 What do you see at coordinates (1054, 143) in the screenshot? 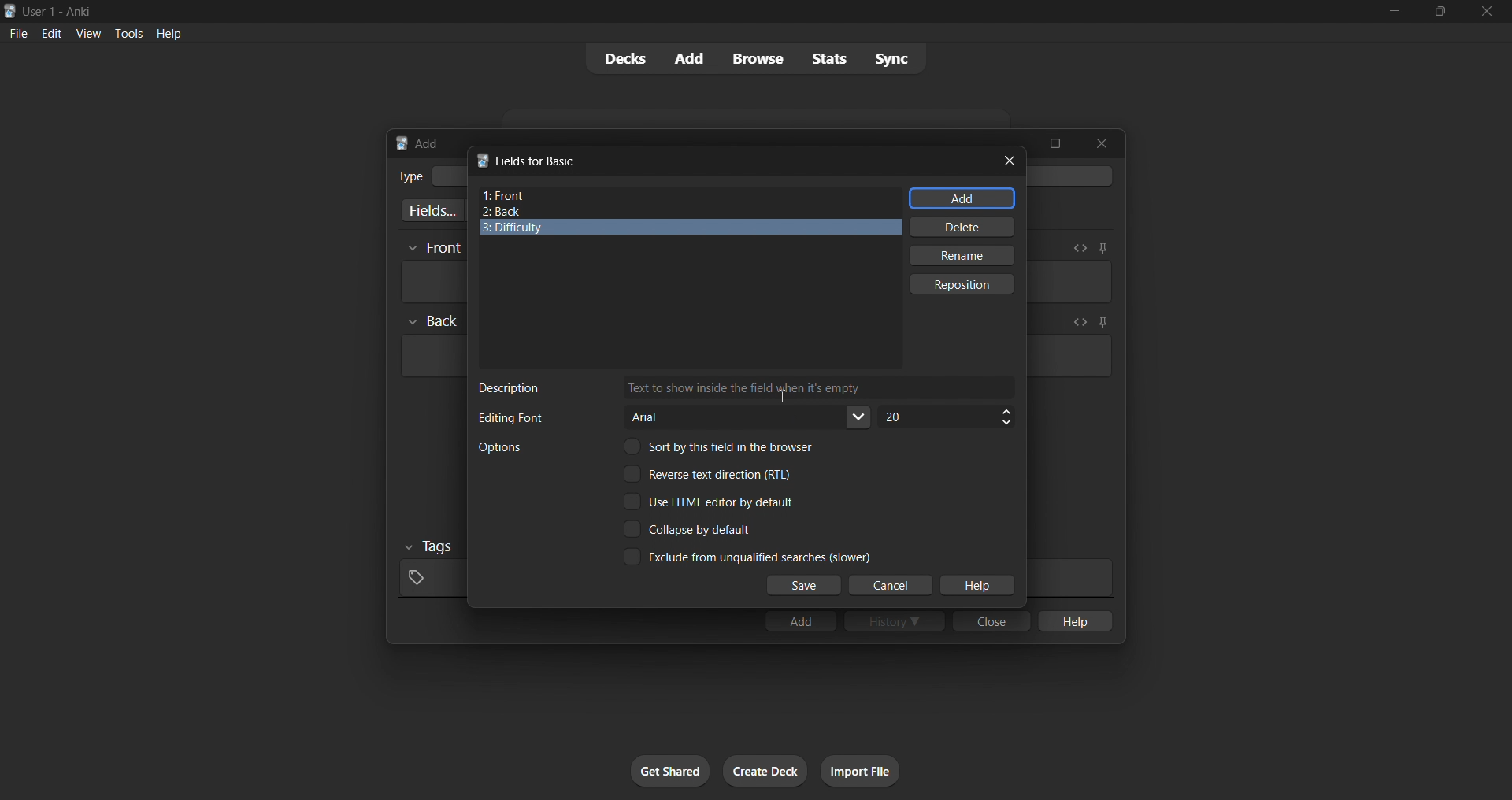
I see `maximize` at bounding box center [1054, 143].